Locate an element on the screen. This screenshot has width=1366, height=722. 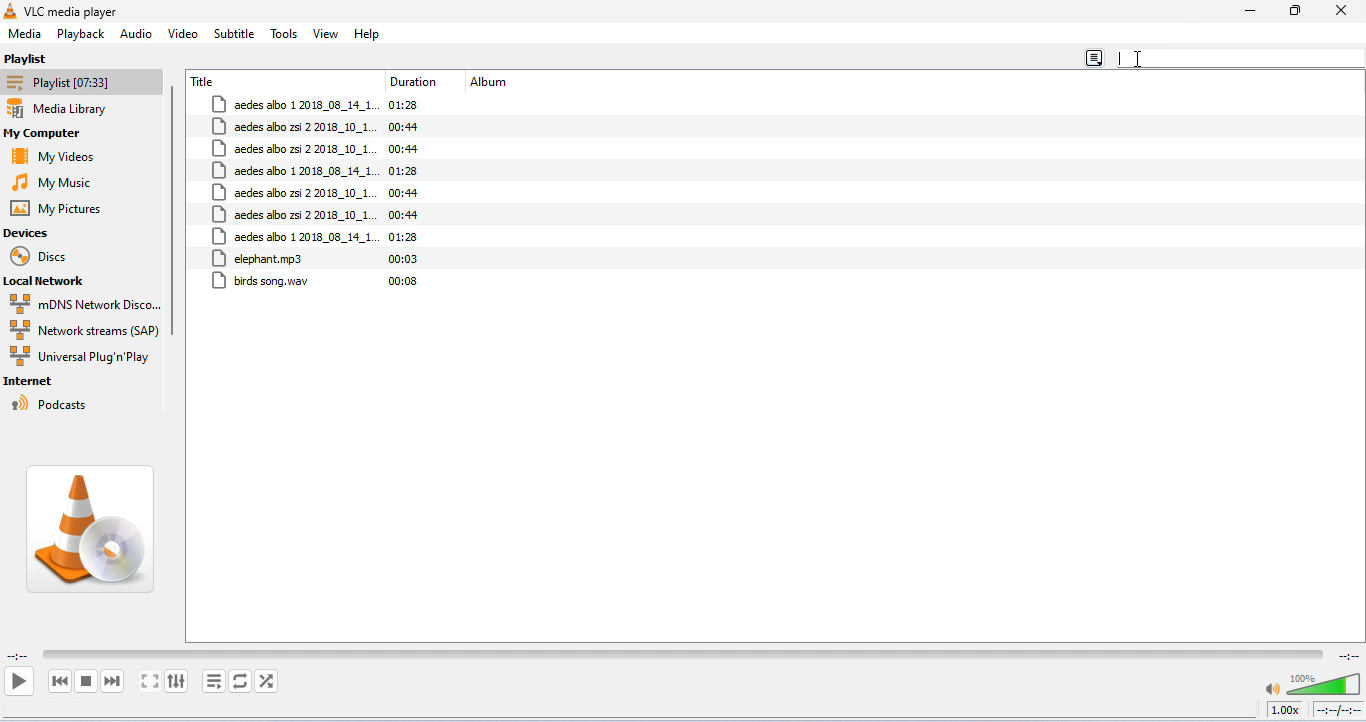
 is located at coordinates (416, 83).